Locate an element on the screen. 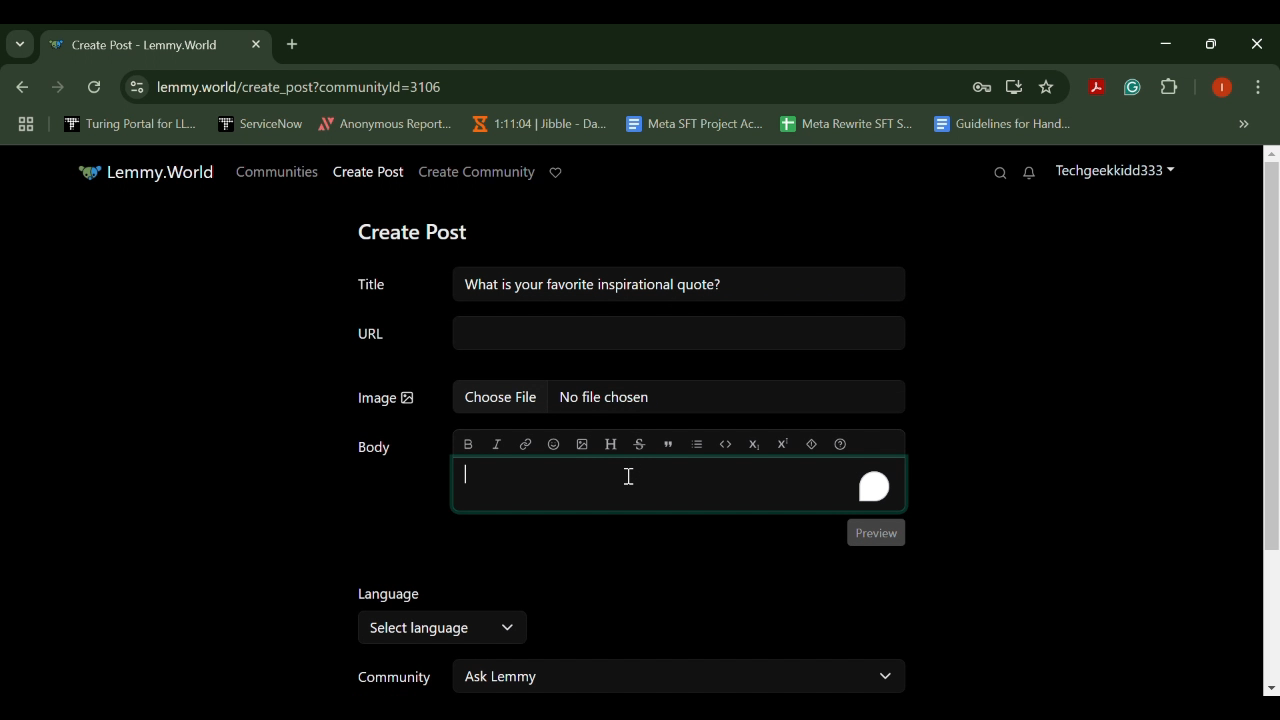 The width and height of the screenshot is (1280, 720). Turing Portal for LL... is located at coordinates (130, 126).